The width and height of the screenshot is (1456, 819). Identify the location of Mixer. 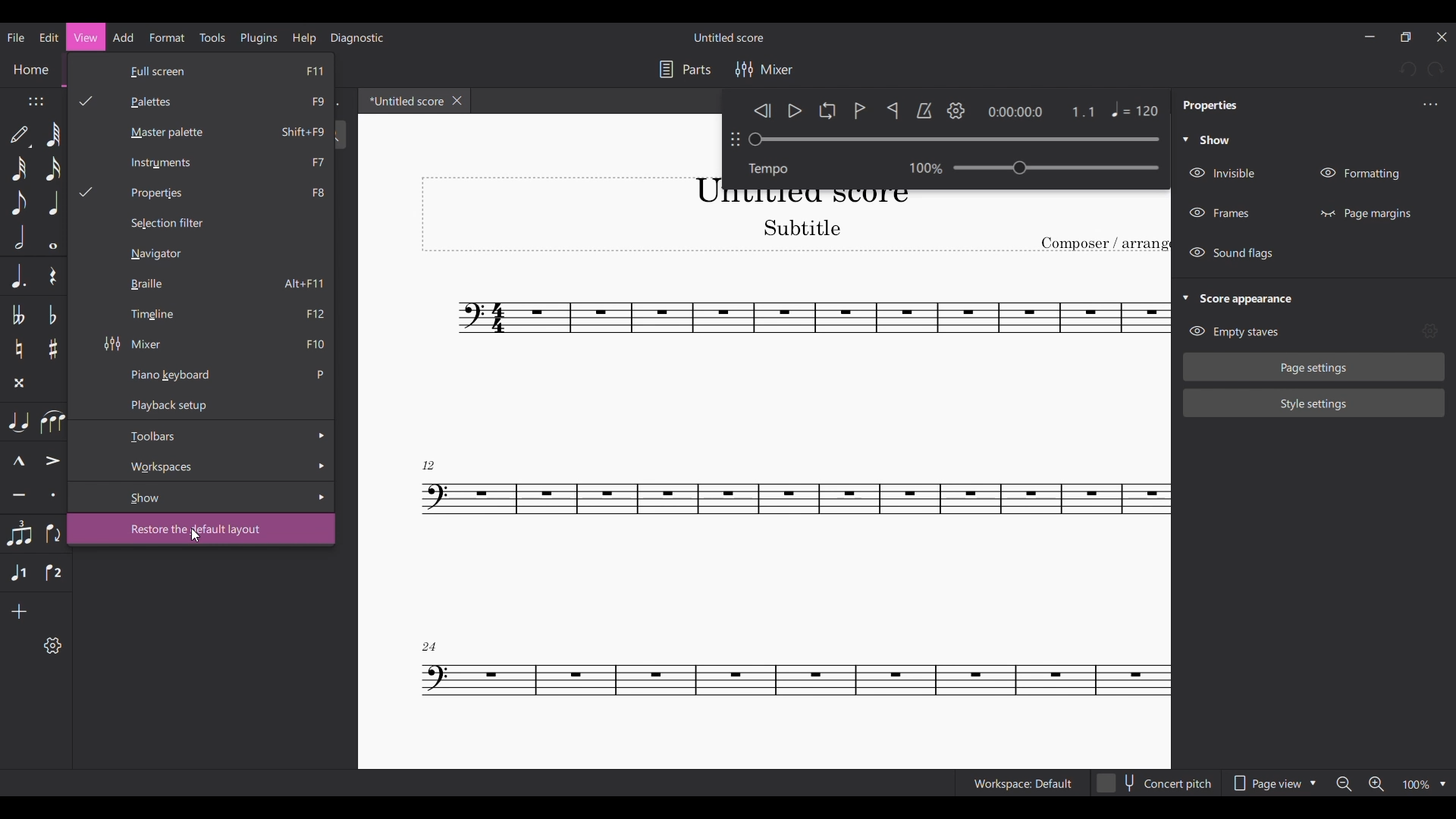
(763, 69).